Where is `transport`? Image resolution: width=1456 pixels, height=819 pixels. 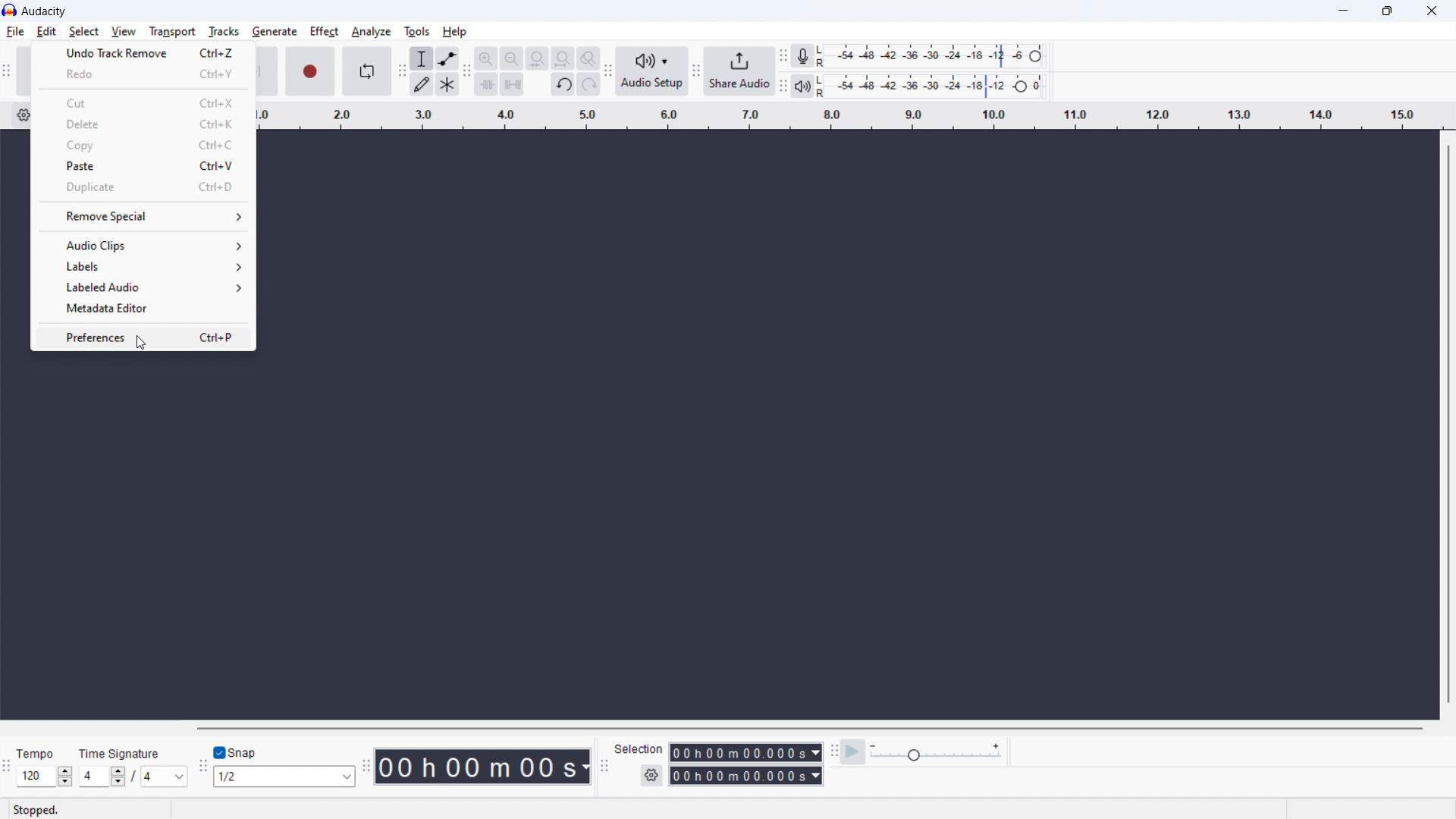
transport is located at coordinates (172, 30).